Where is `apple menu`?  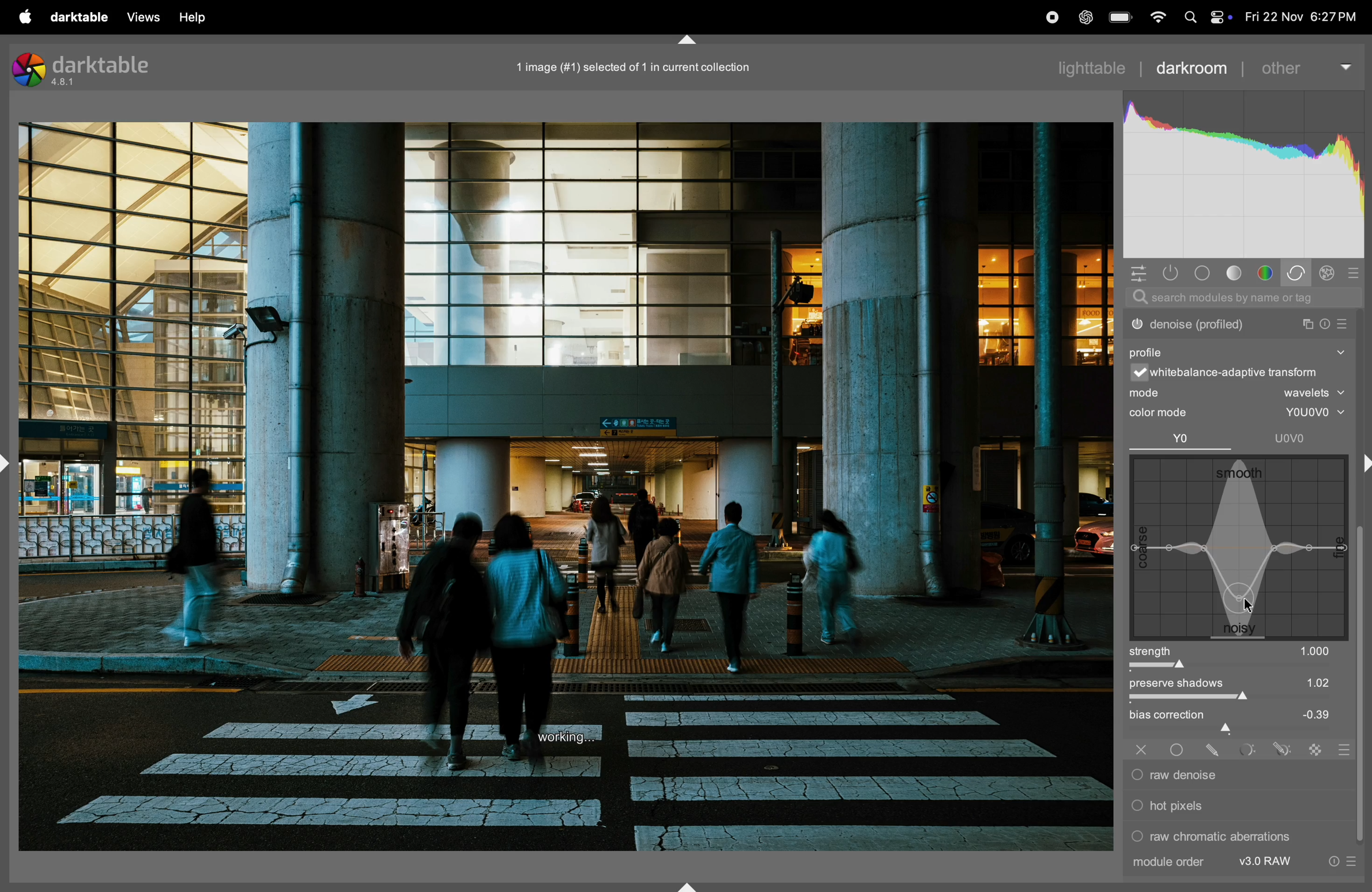
apple menu is located at coordinates (25, 17).